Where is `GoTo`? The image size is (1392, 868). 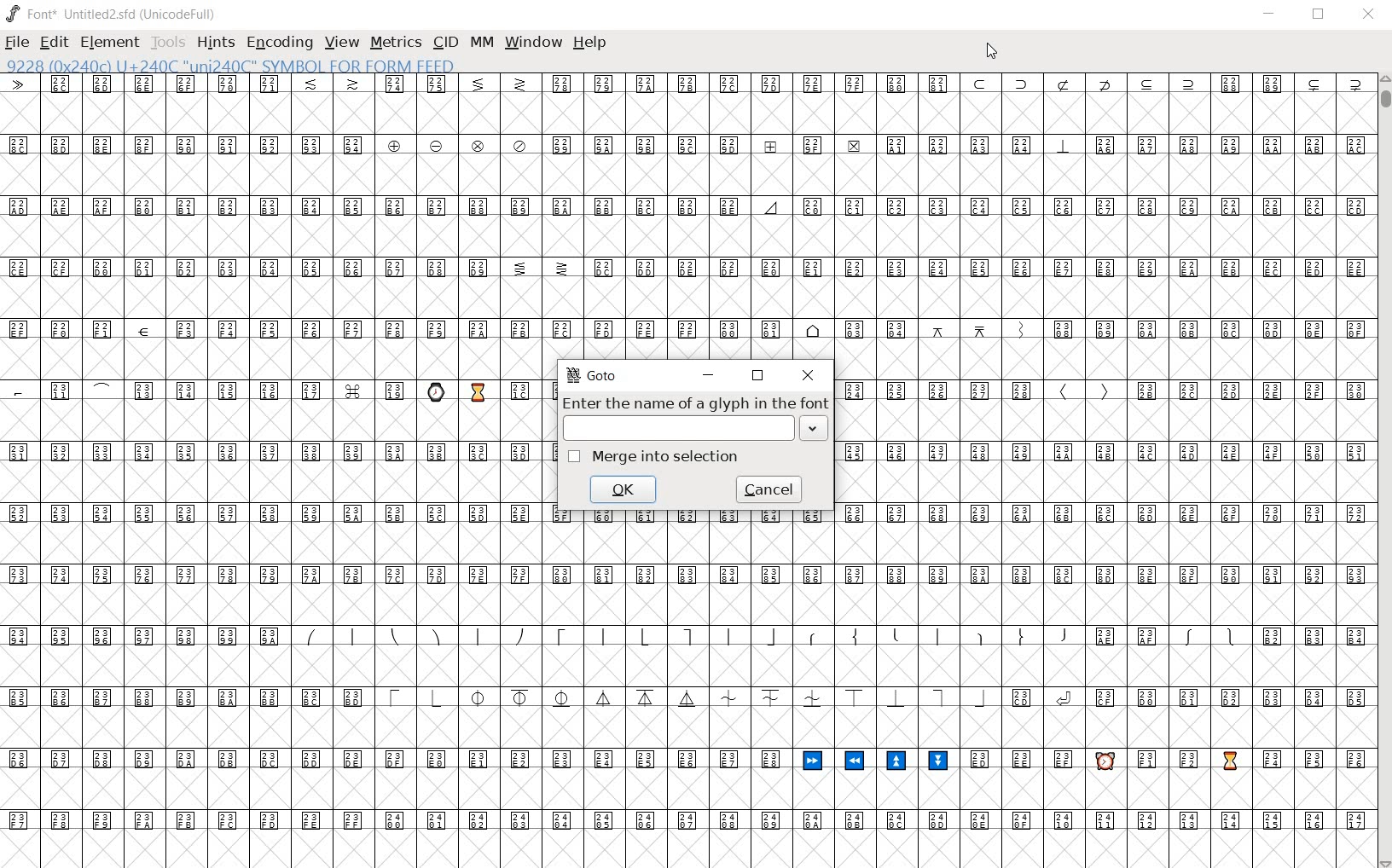 GoTo is located at coordinates (589, 375).